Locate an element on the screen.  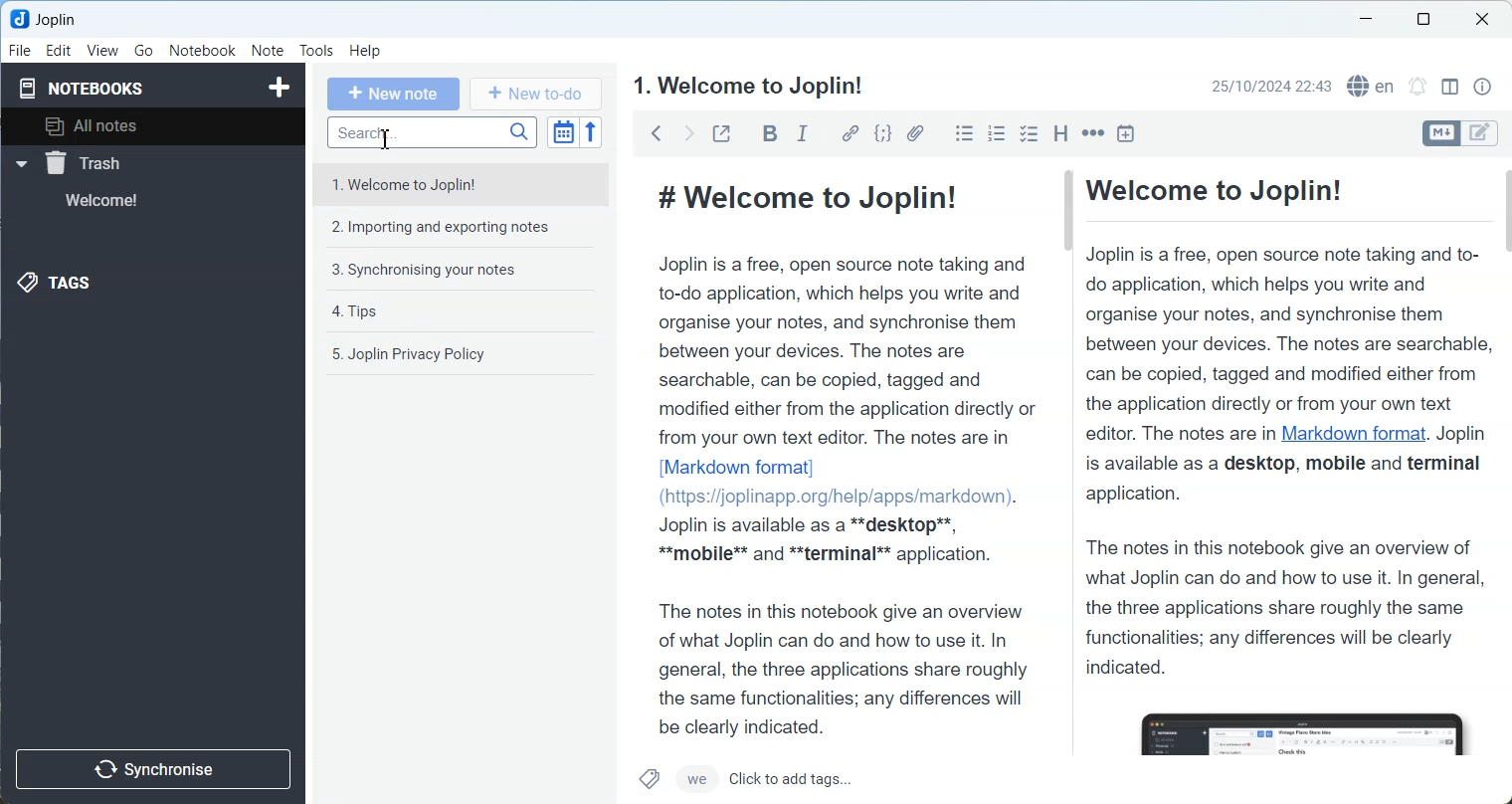
Create Notebook is located at coordinates (277, 88).